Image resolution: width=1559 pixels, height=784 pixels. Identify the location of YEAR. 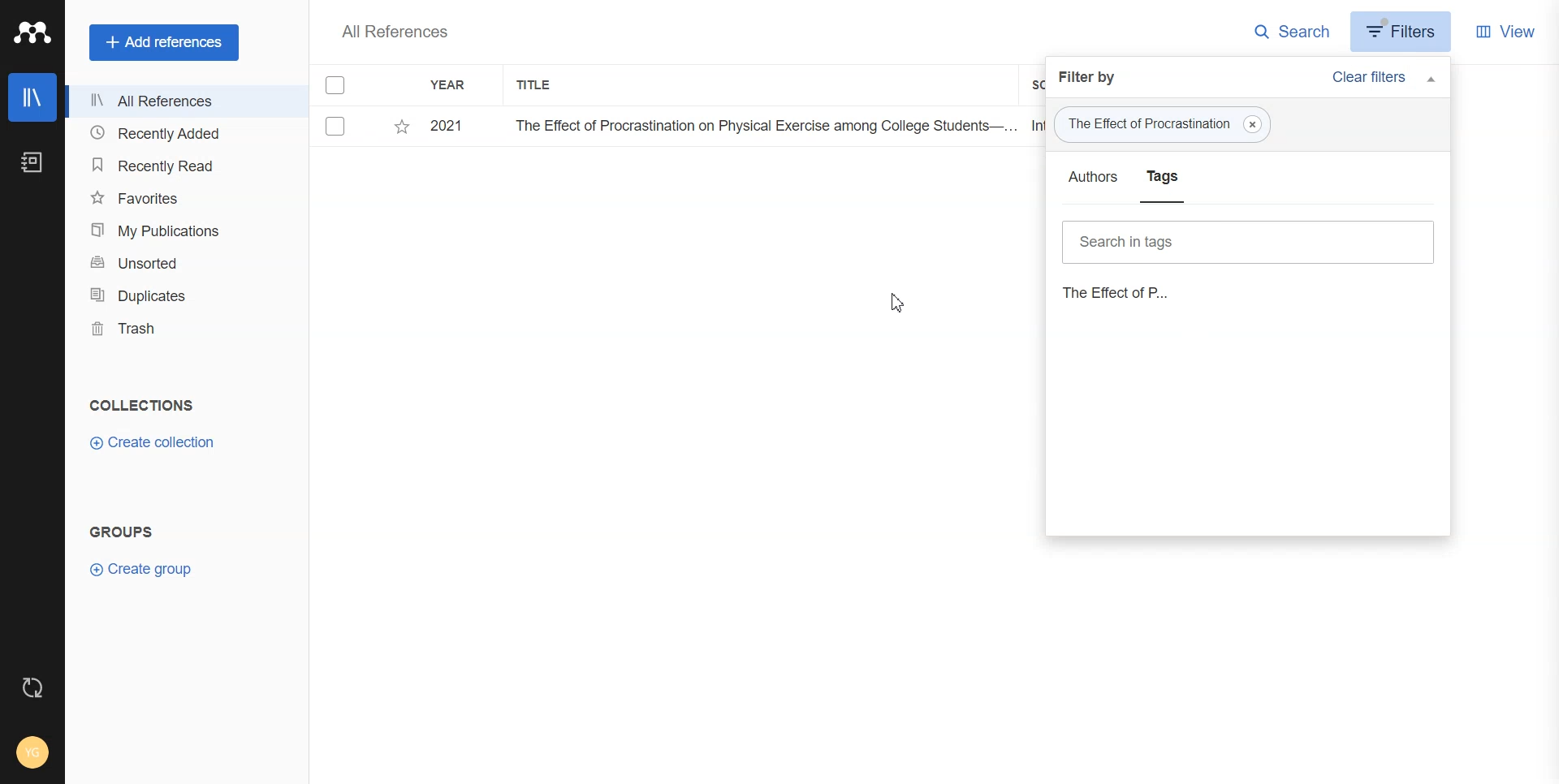
(458, 84).